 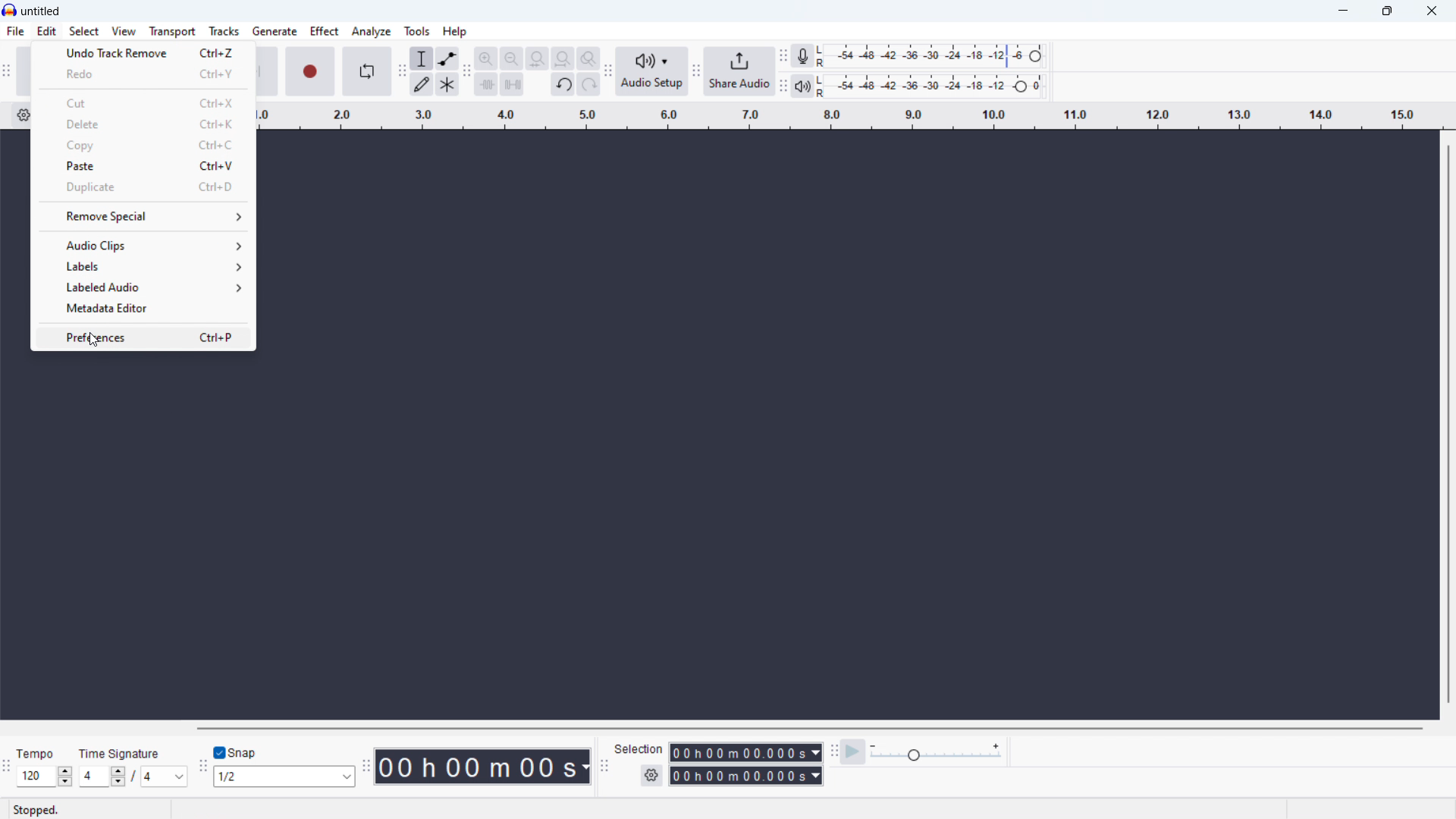 I want to click on redo, so click(x=143, y=74).